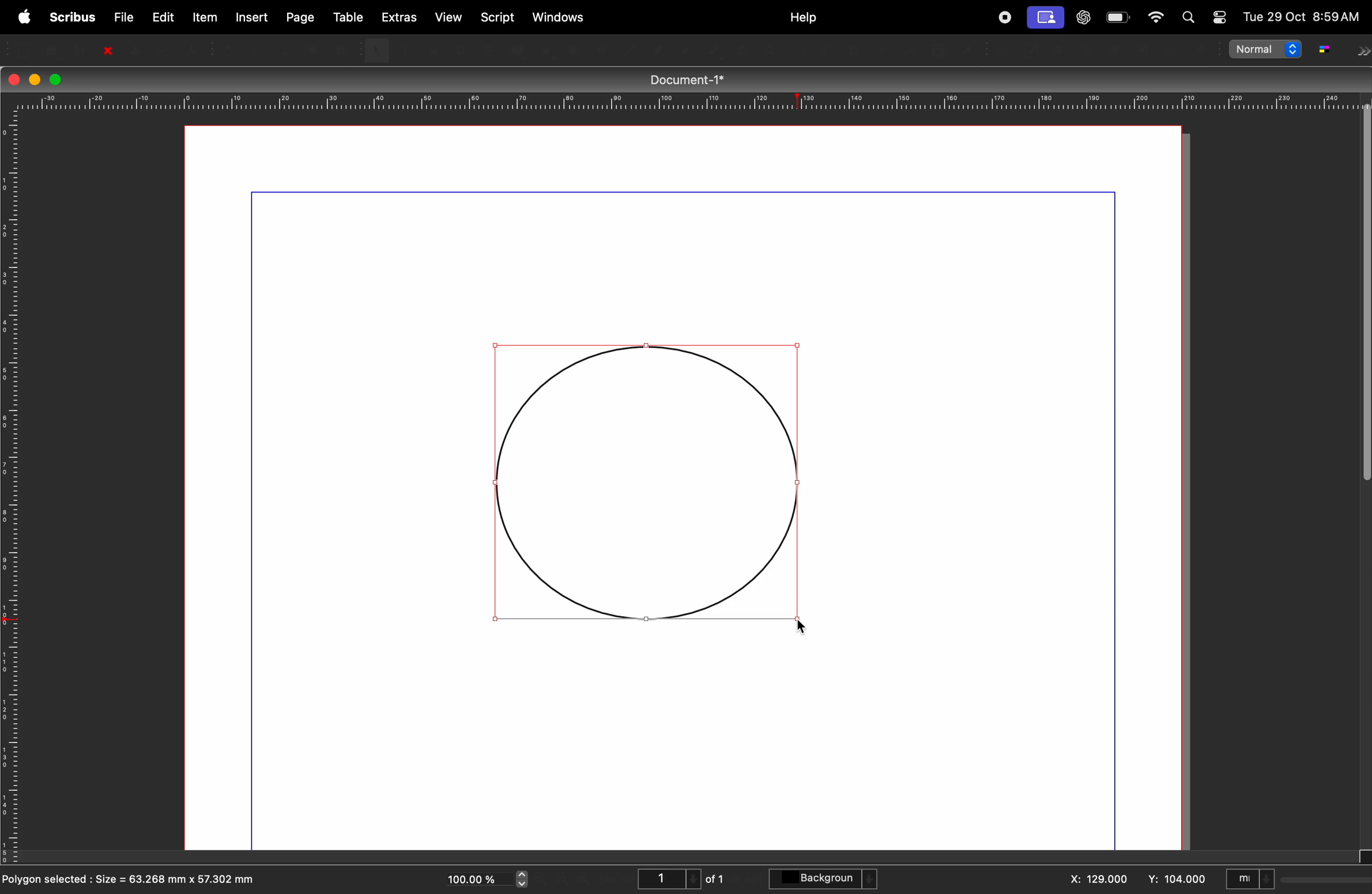 This screenshot has width=1372, height=894. I want to click on record, so click(1004, 17).